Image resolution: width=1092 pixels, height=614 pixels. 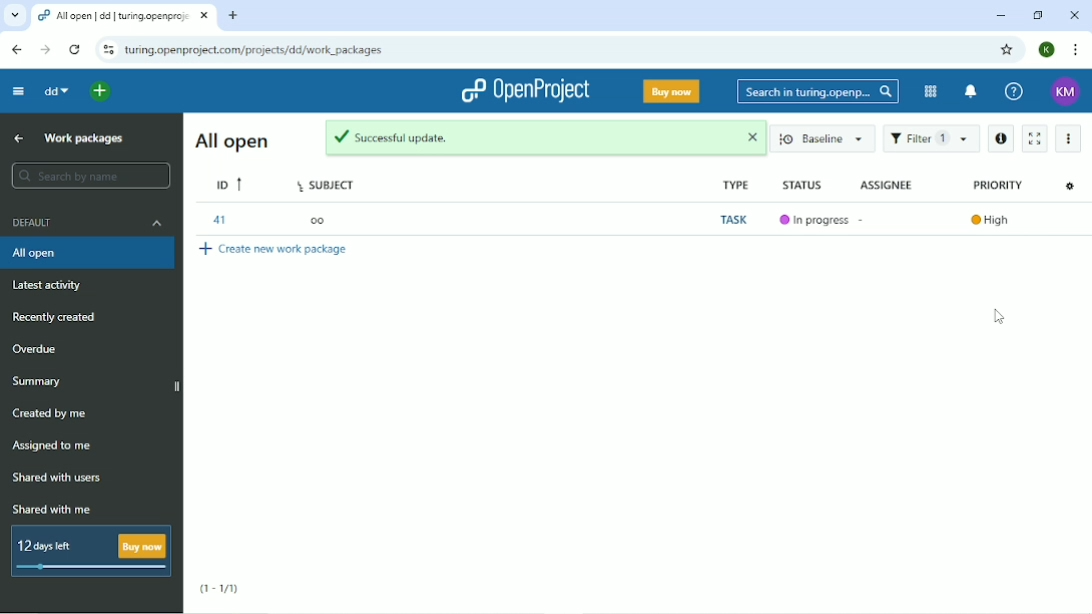 What do you see at coordinates (123, 16) in the screenshot?
I see `Current tab` at bounding box center [123, 16].